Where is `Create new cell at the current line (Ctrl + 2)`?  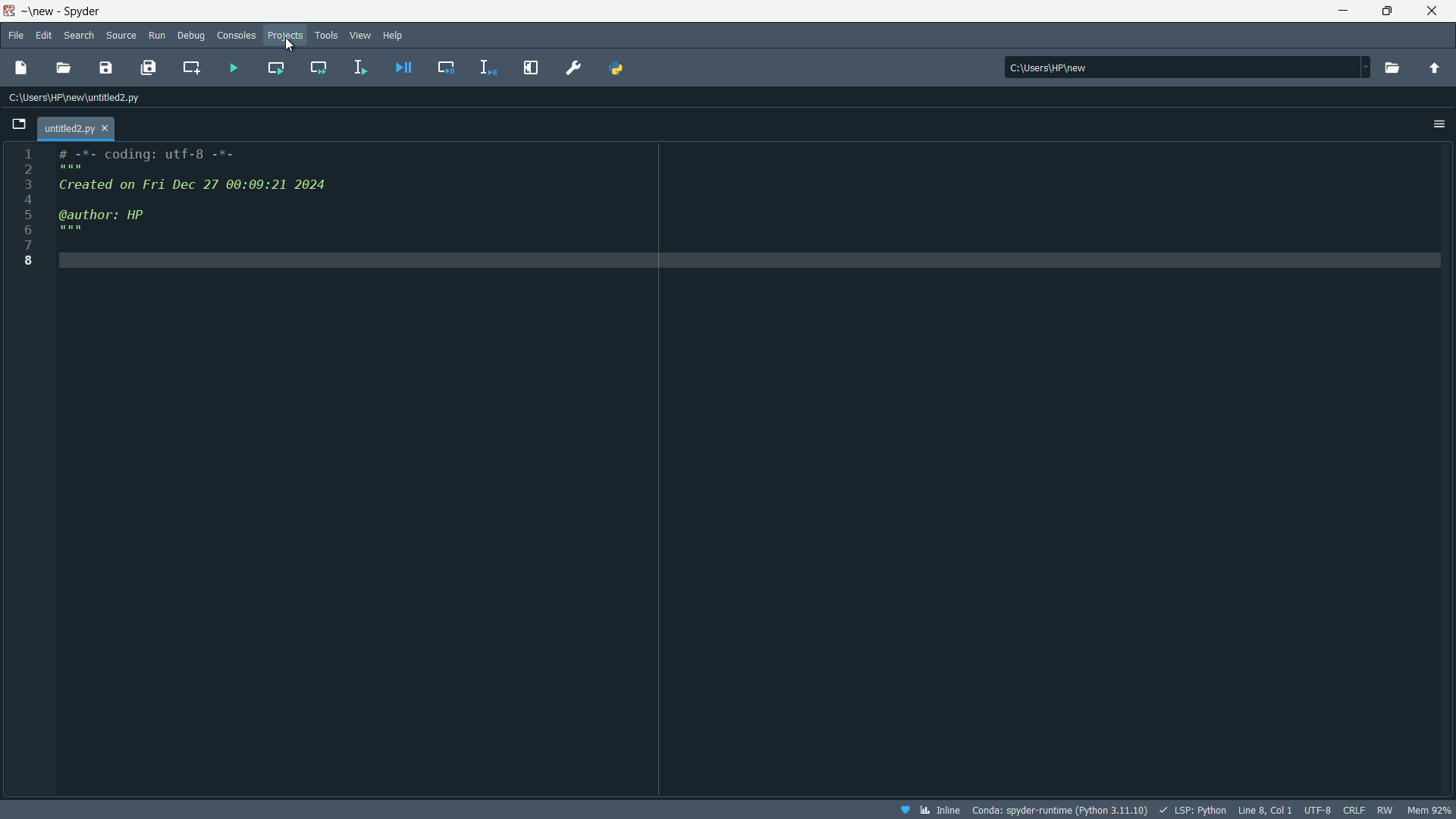
Create new cell at the current line (Ctrl + 2) is located at coordinates (190, 67).